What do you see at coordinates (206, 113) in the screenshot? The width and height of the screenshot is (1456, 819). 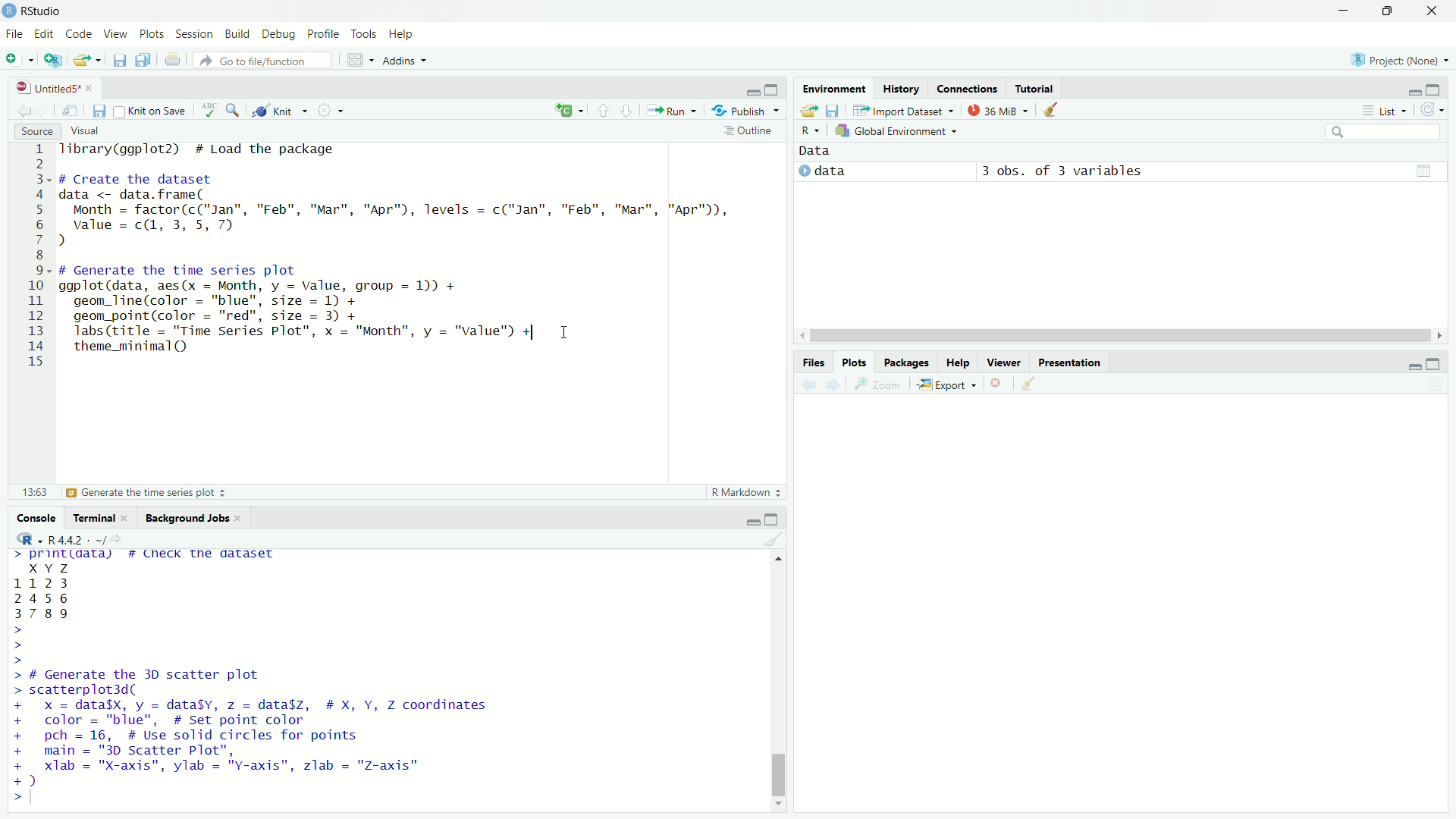 I see `spell check` at bounding box center [206, 113].